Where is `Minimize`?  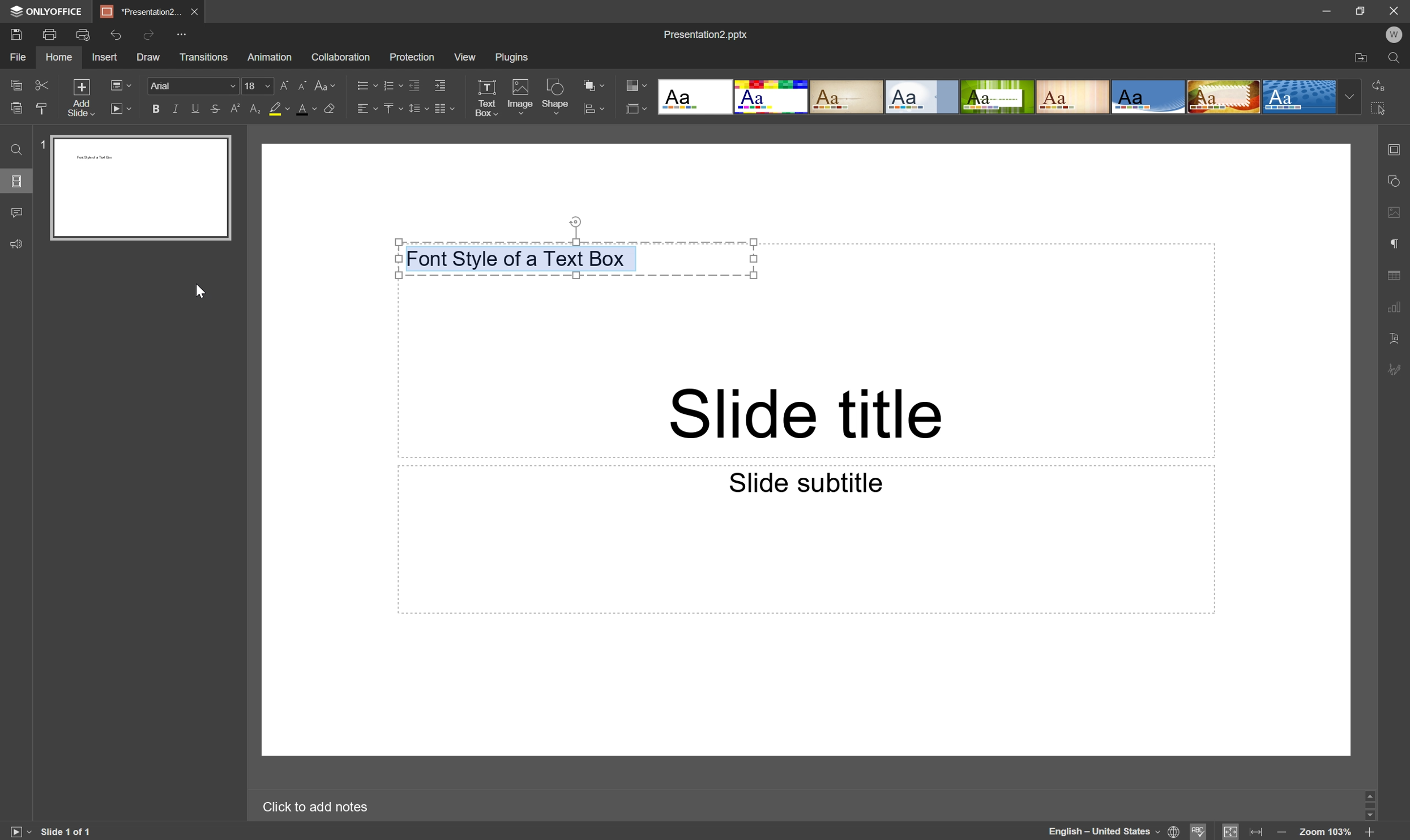 Minimize is located at coordinates (1327, 8).